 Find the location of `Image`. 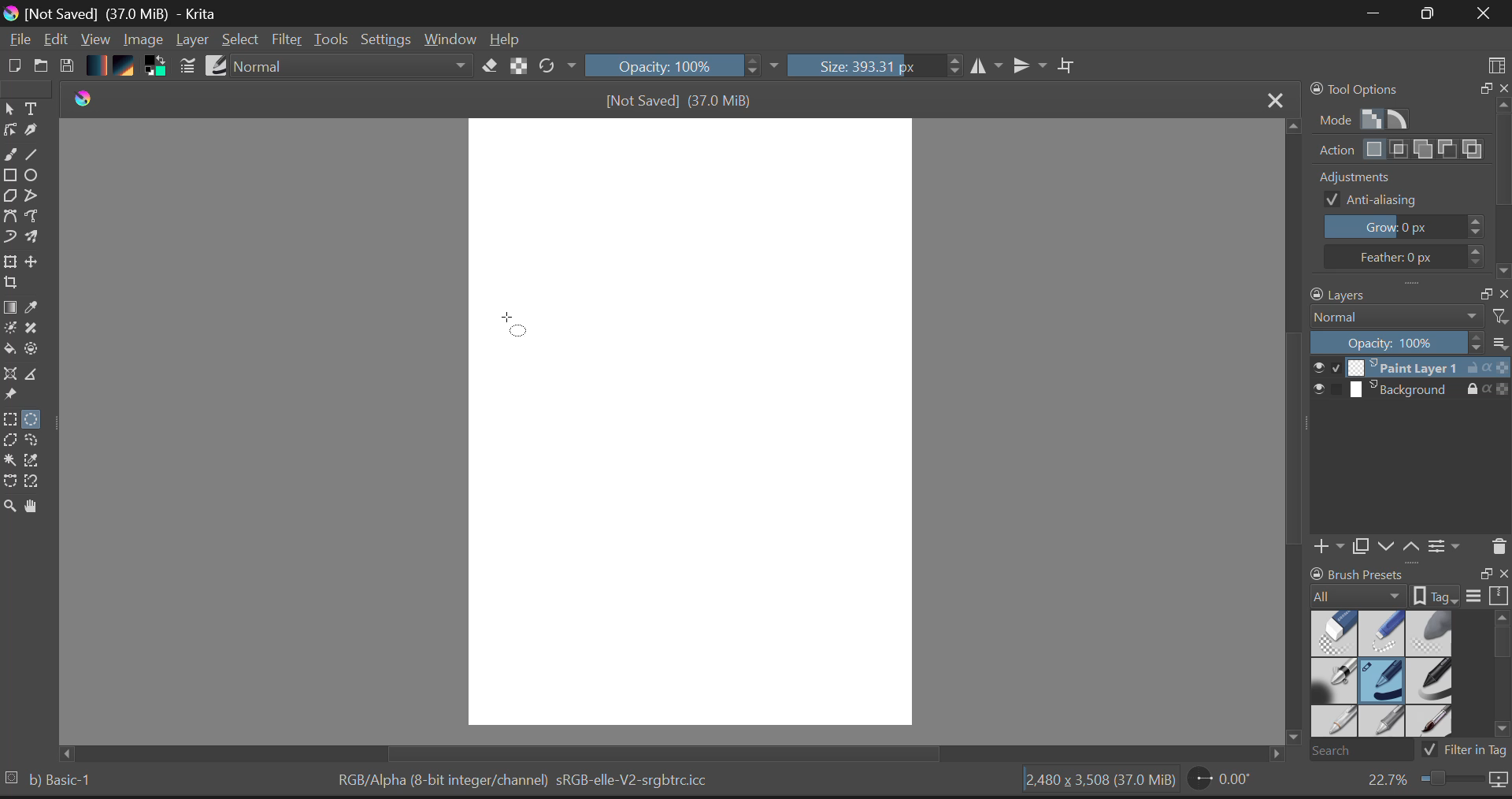

Image is located at coordinates (143, 39).